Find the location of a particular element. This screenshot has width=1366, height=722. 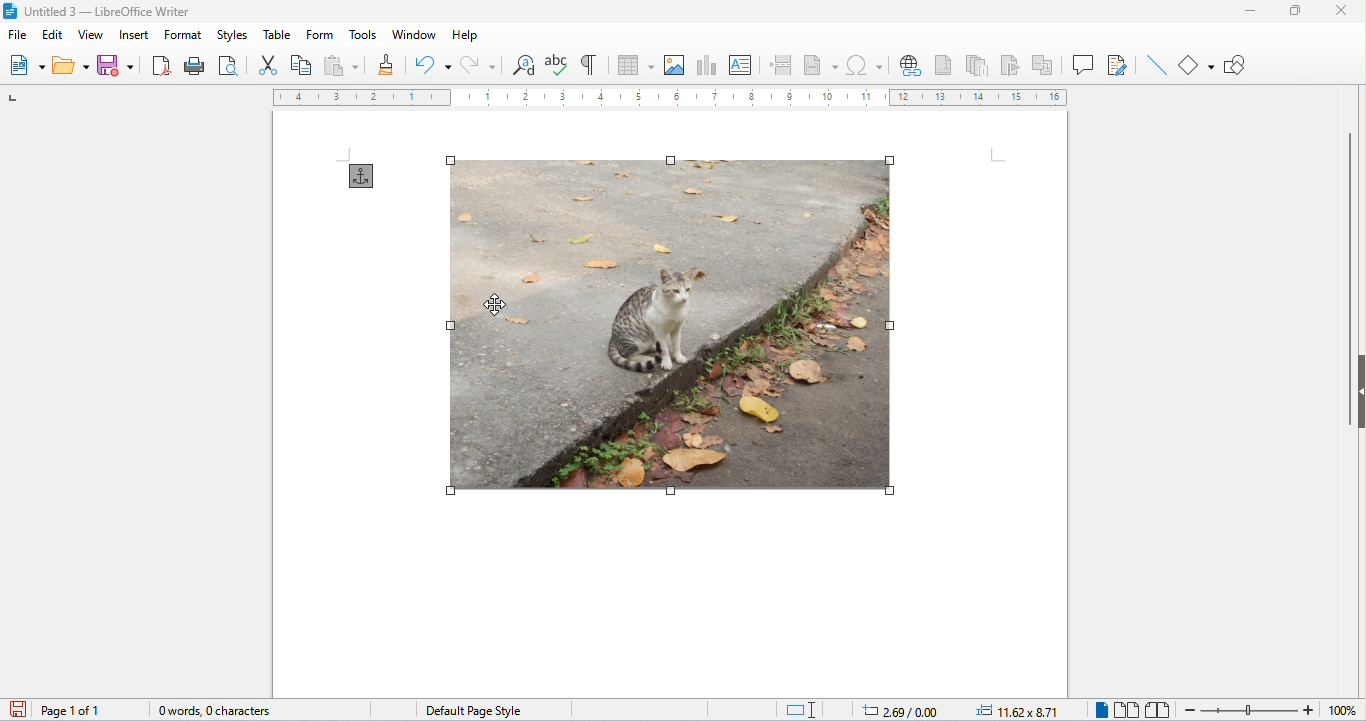

standard selection is located at coordinates (801, 710).